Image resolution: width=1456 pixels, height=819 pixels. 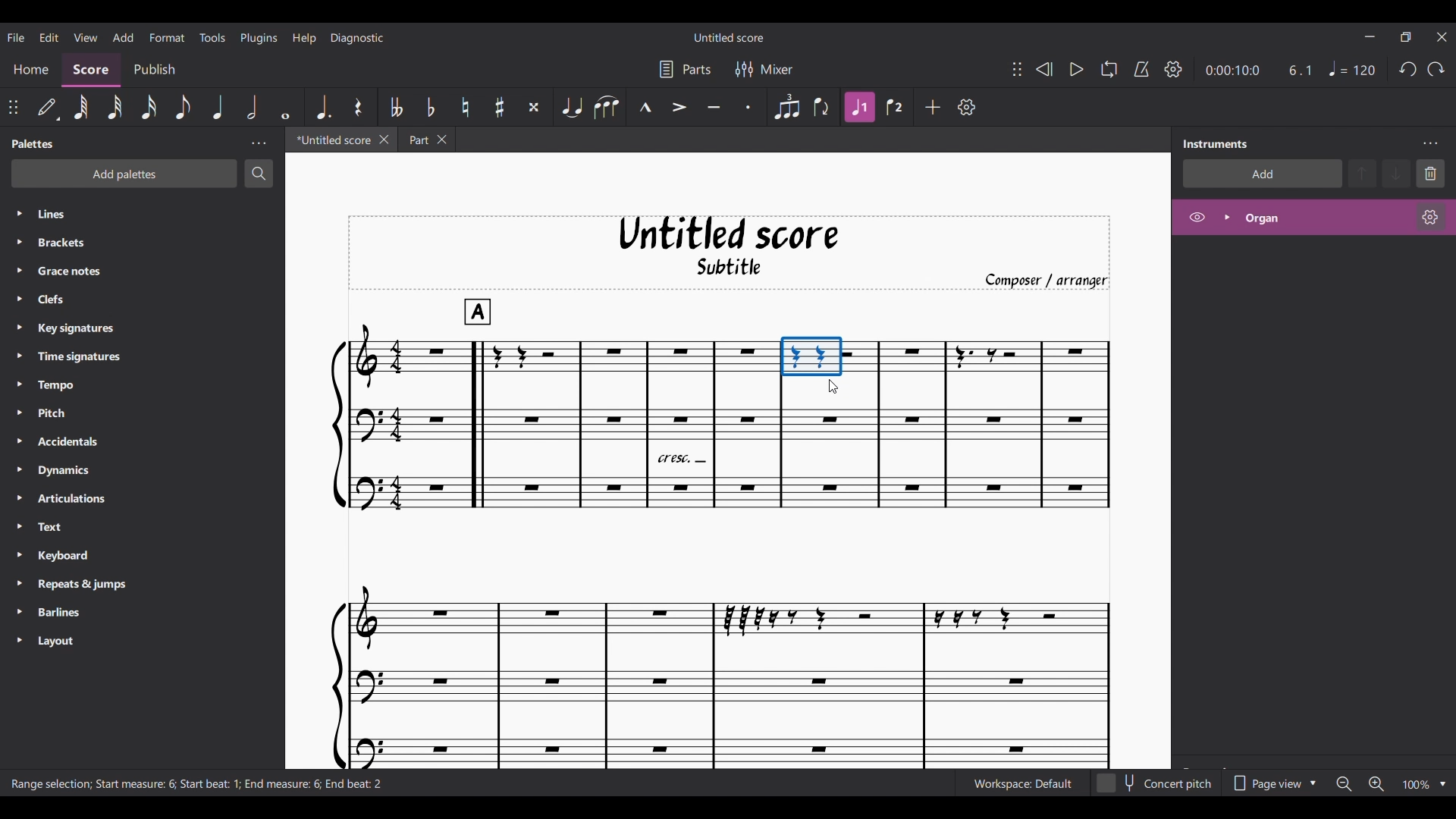 I want to click on Search, so click(x=259, y=173).